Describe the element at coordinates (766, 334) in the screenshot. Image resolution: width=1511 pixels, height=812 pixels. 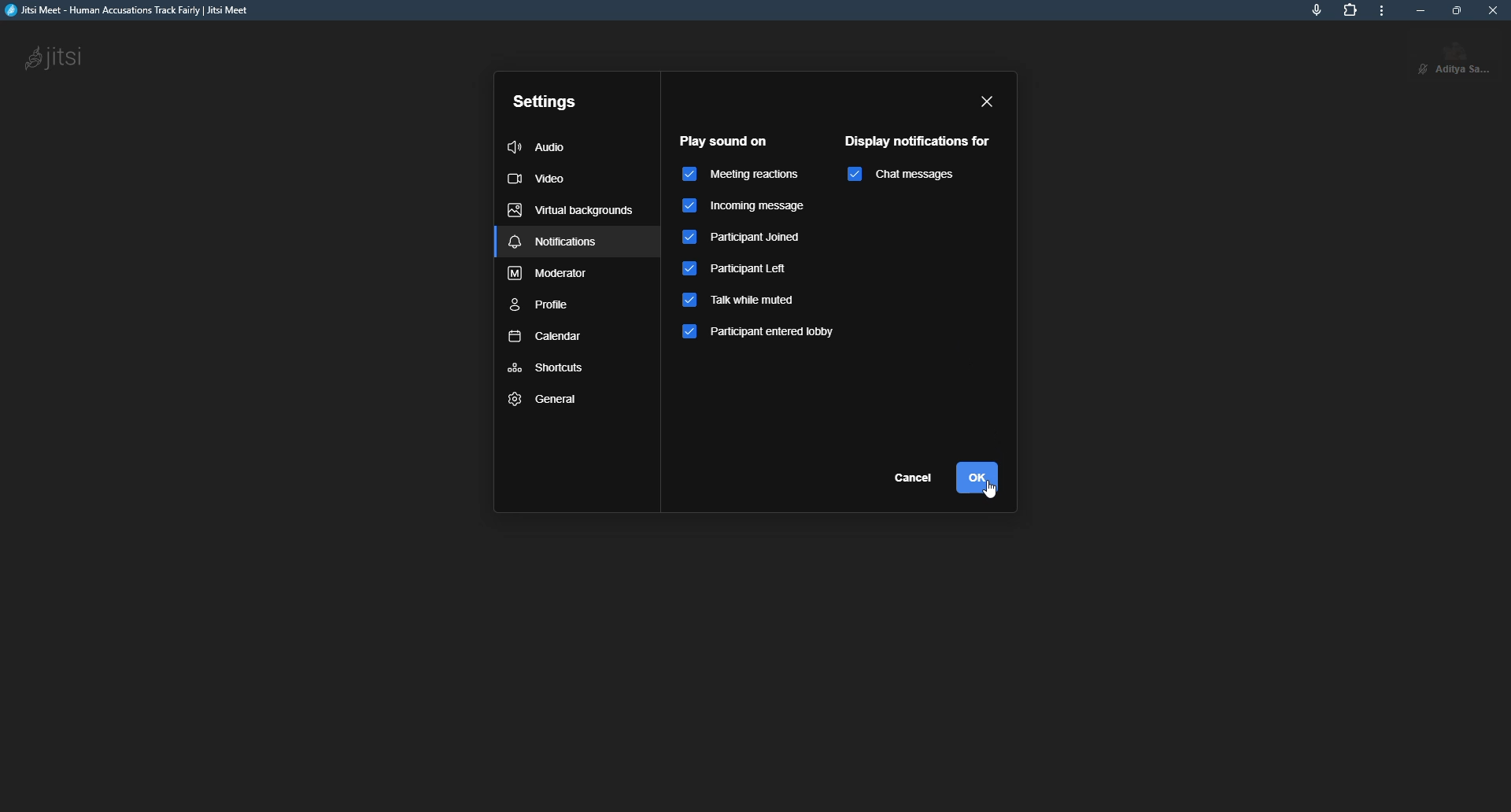
I see `participant entered lobby` at that location.